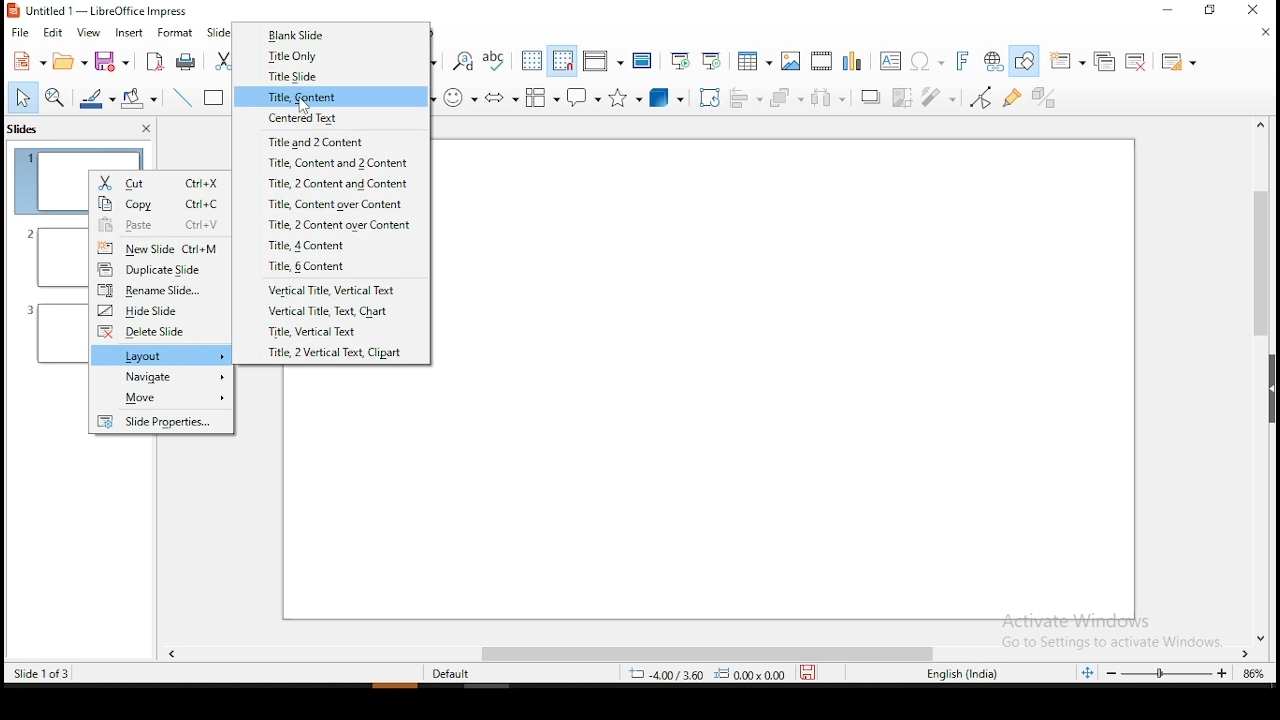 This screenshot has height=720, width=1280. I want to click on insert hyperlink, so click(995, 60).